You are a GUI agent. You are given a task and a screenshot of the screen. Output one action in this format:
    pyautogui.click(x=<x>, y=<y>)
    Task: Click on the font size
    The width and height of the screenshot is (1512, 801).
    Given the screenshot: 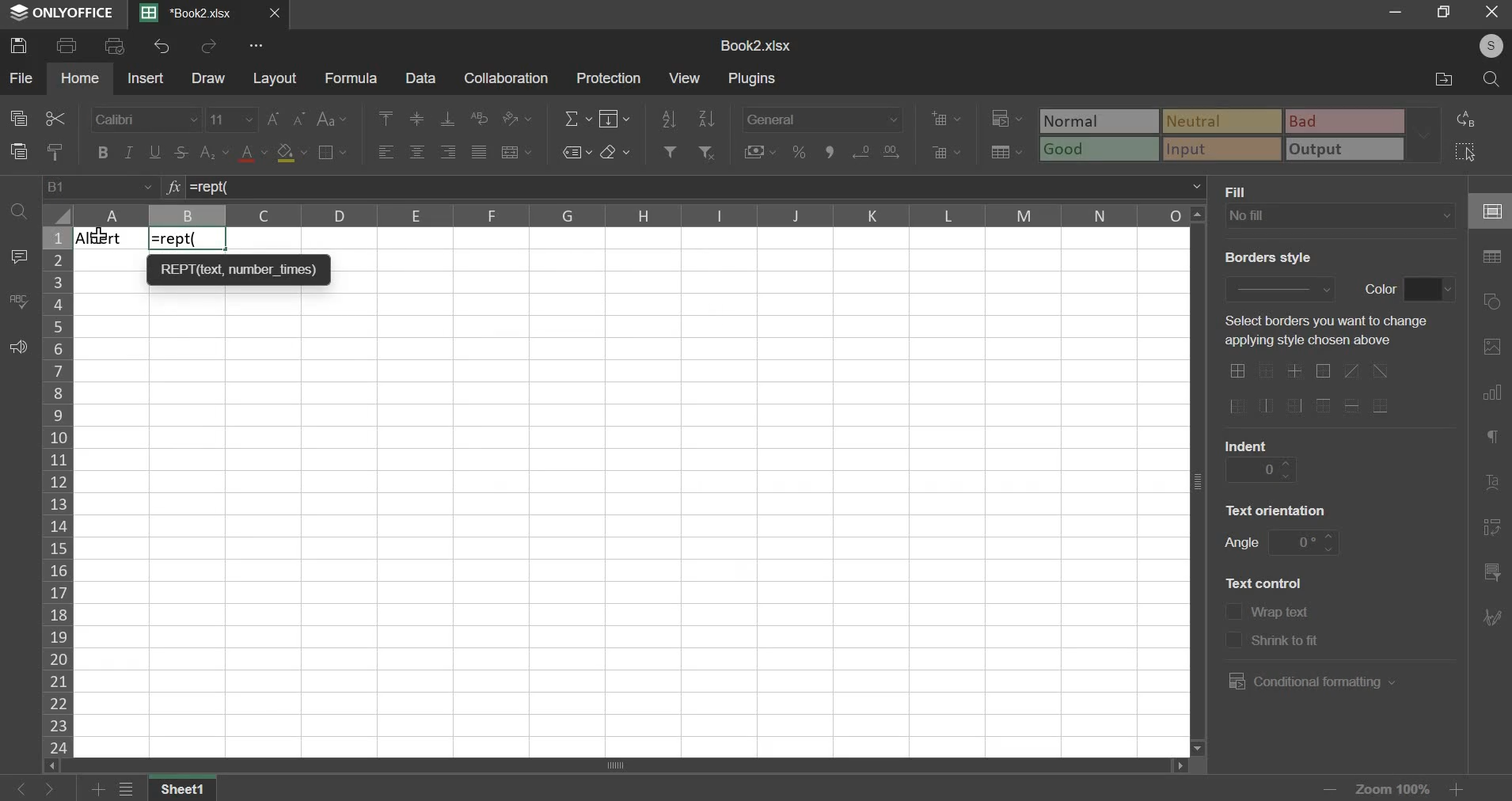 What is the action you would take?
    pyautogui.click(x=234, y=119)
    